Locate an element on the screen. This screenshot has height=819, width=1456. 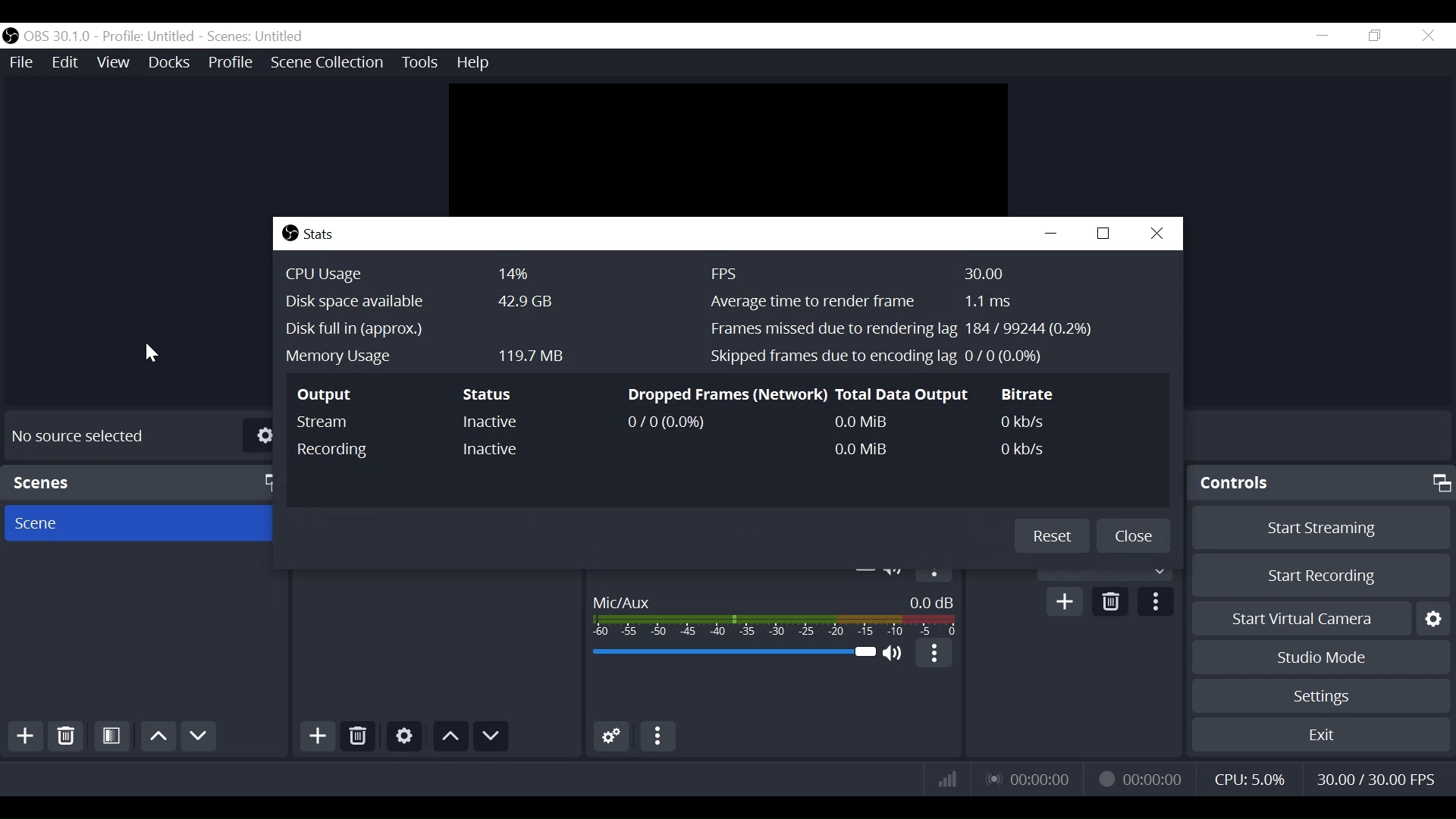
Scene Name is located at coordinates (260, 36).